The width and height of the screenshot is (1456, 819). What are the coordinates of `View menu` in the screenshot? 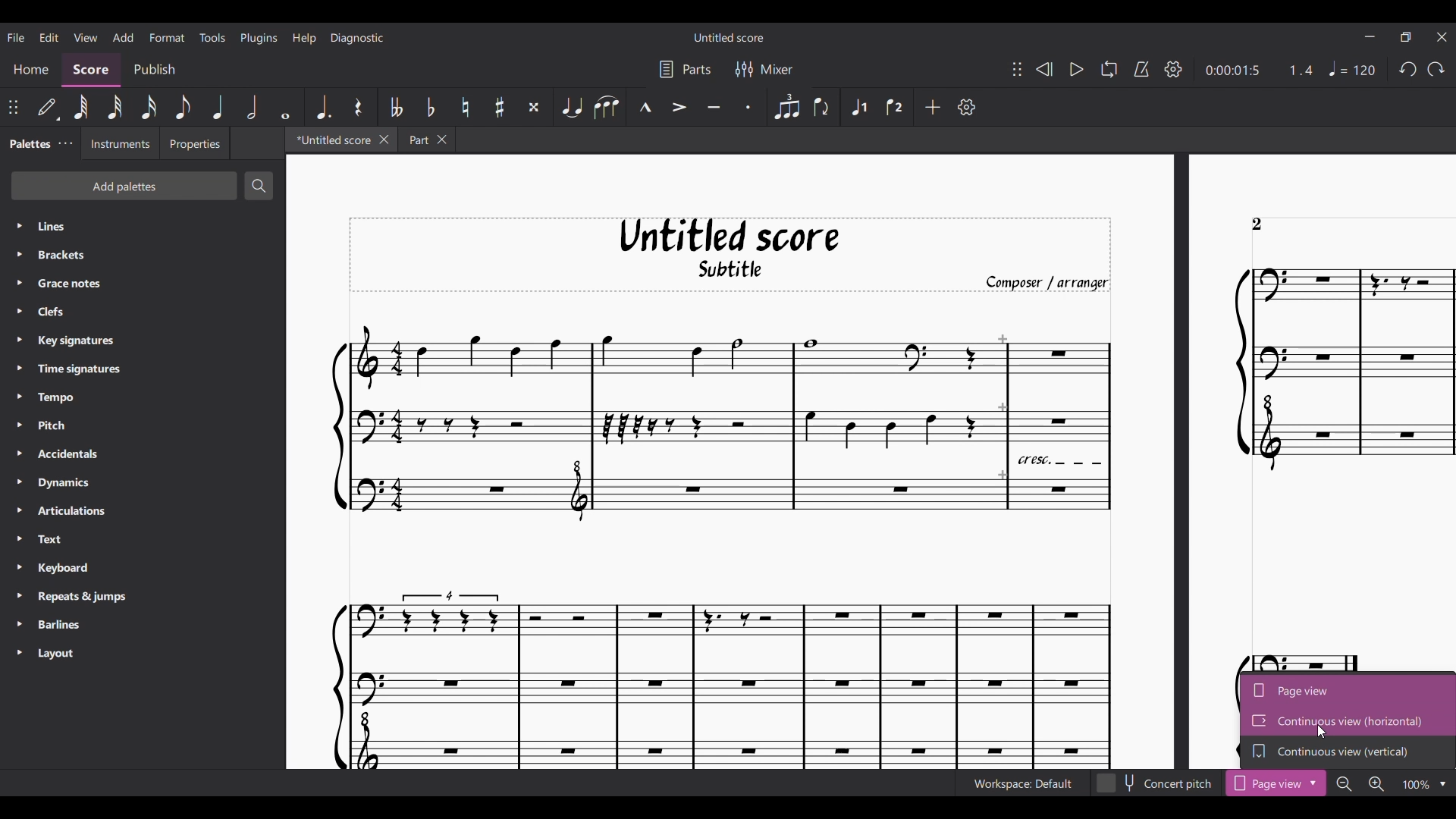 It's located at (86, 36).